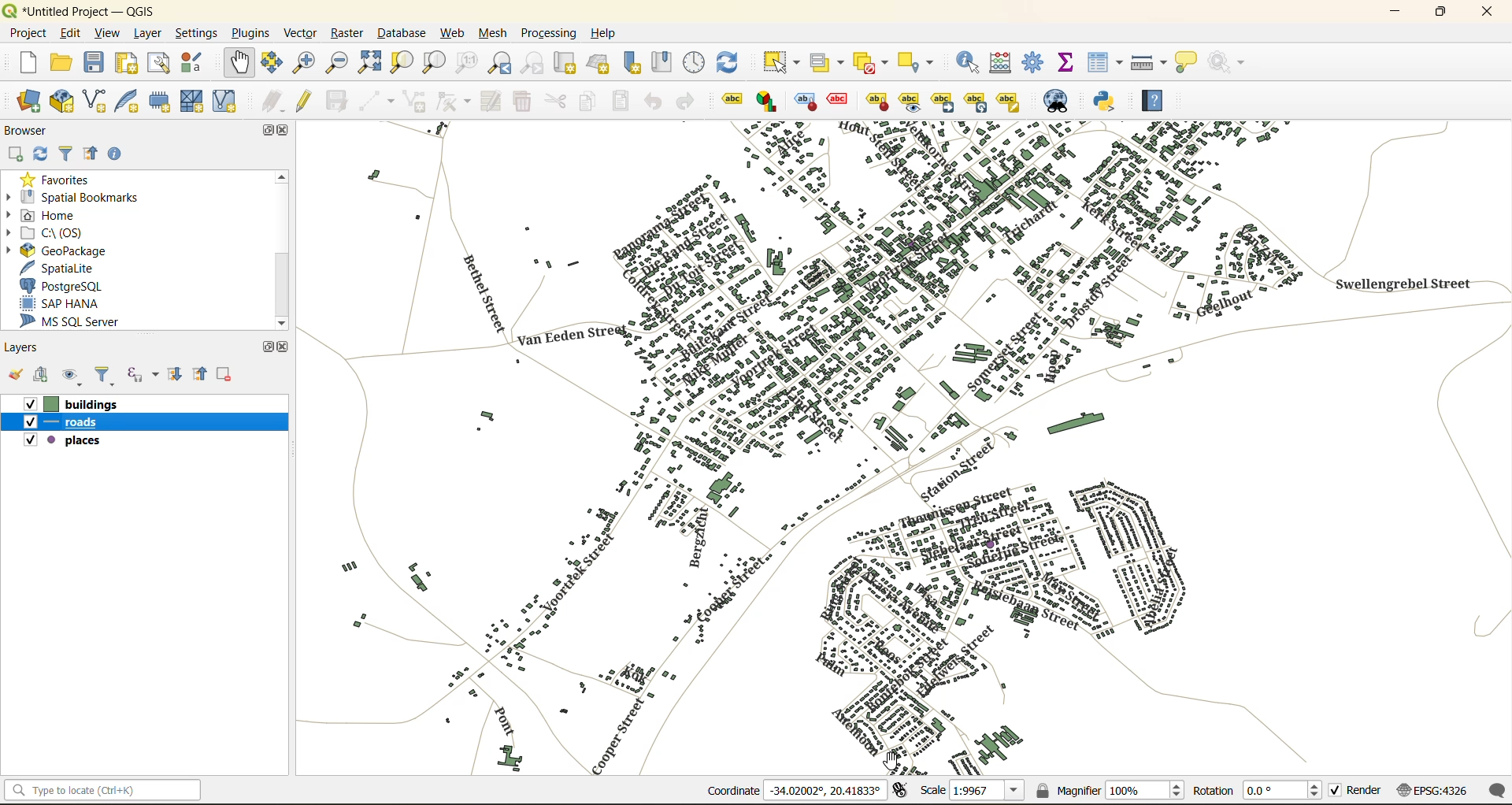 This screenshot has height=805, width=1512. I want to click on filter by expression, so click(143, 375).